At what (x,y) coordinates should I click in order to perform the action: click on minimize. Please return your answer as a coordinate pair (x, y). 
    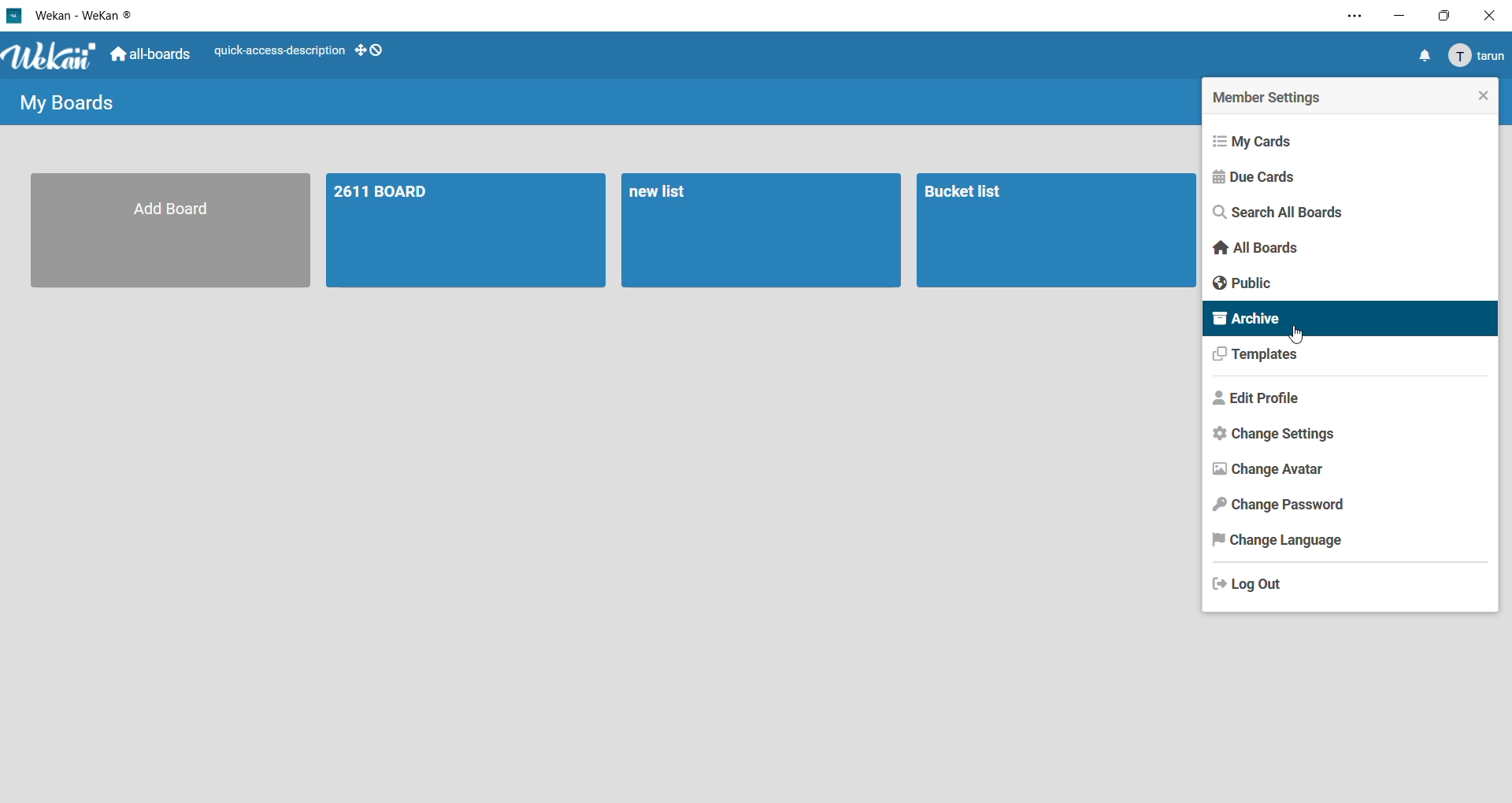
    Looking at the image, I should click on (1401, 18).